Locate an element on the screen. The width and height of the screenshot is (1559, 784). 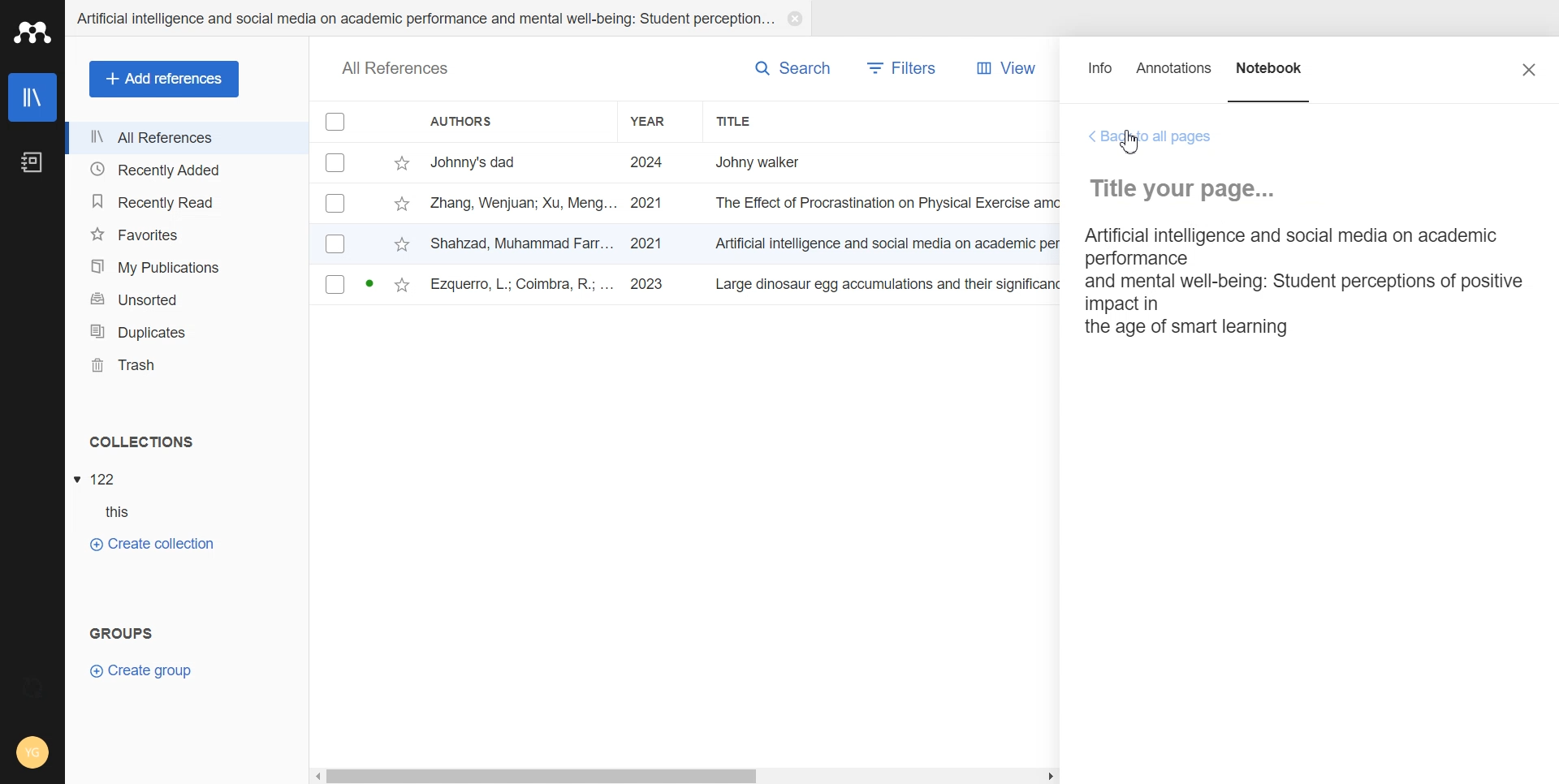
star is located at coordinates (402, 164).